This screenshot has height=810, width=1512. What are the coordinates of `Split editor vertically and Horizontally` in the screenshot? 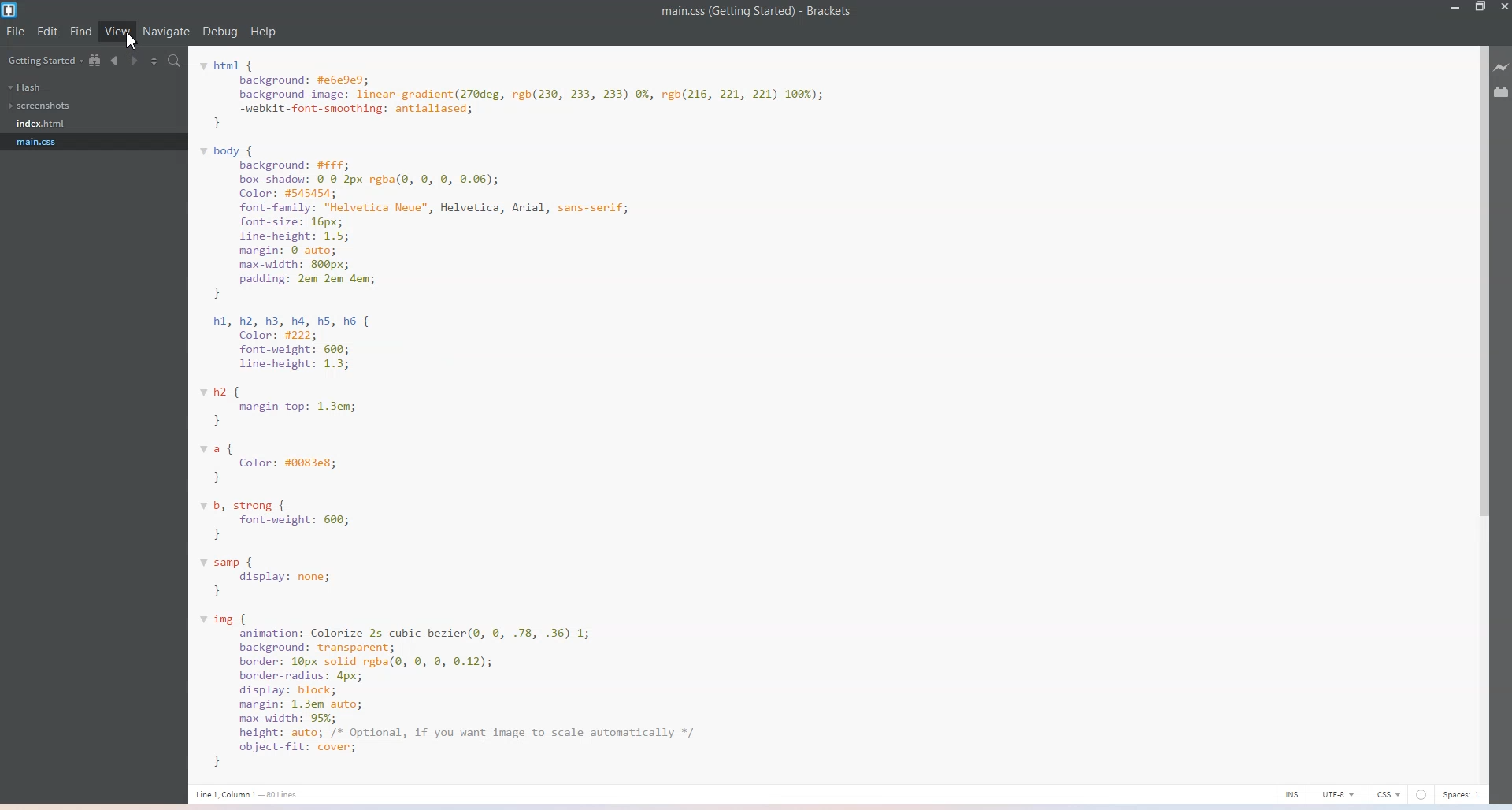 It's located at (153, 60).